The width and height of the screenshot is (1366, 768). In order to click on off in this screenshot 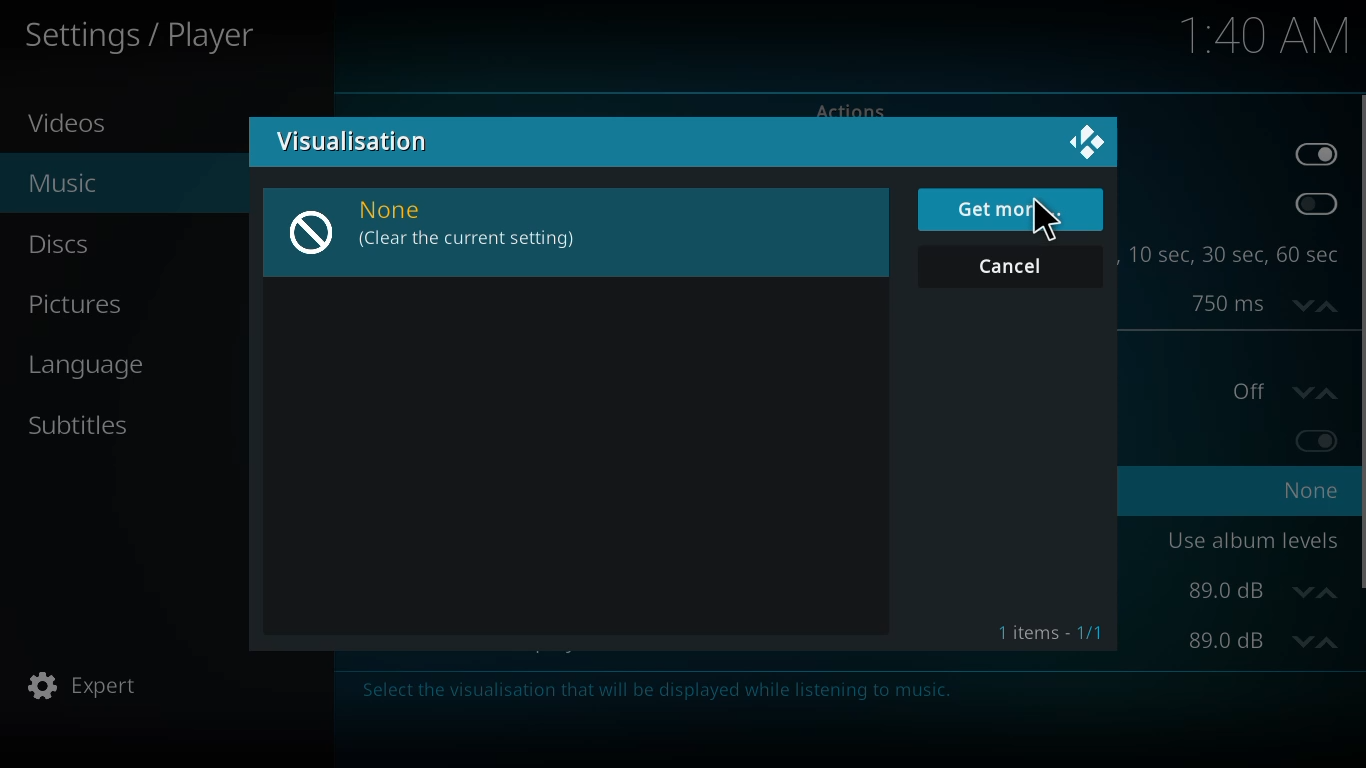, I will do `click(1283, 390)`.